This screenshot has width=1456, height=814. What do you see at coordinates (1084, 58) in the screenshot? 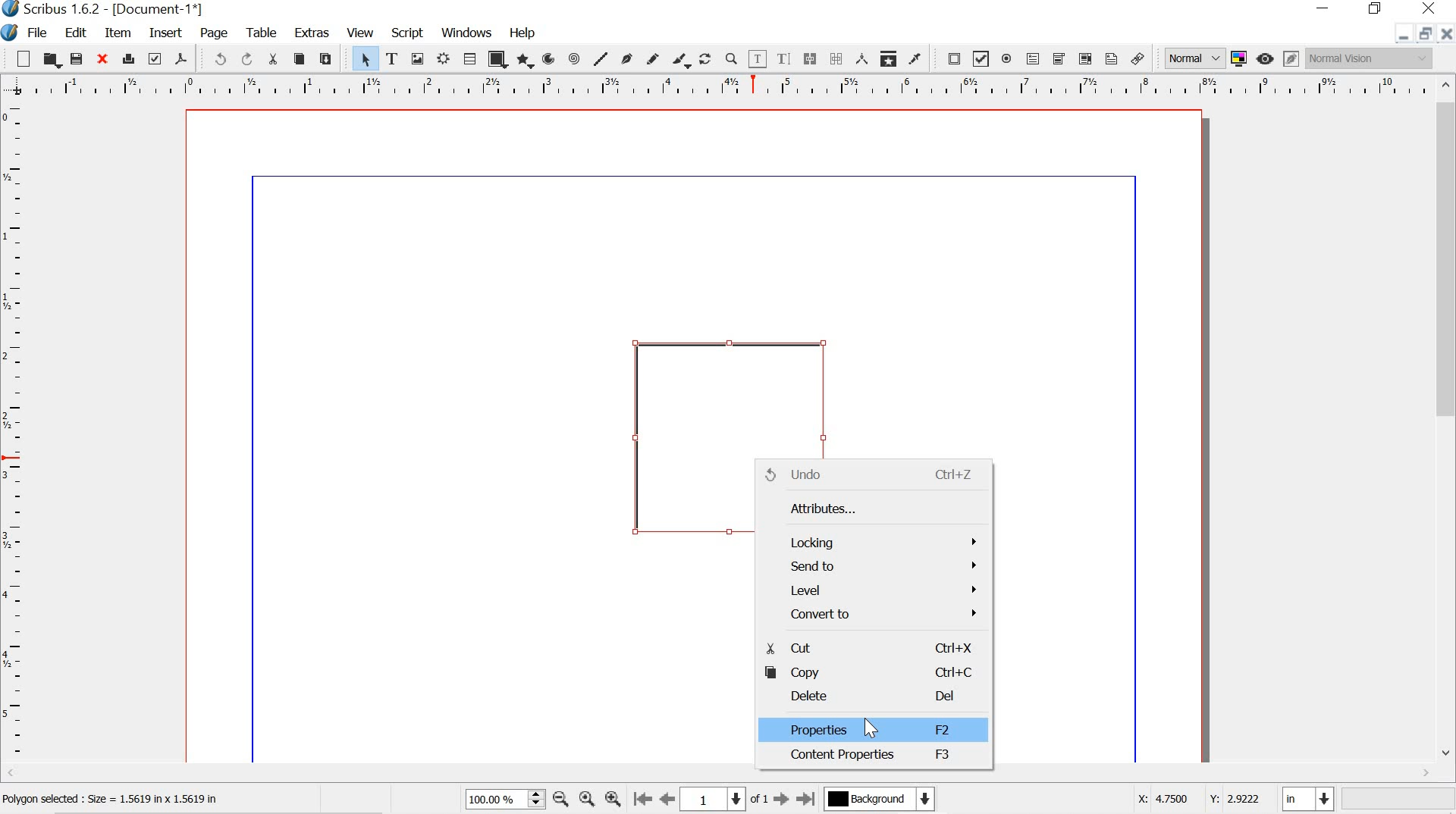
I see `pdf list` at bounding box center [1084, 58].